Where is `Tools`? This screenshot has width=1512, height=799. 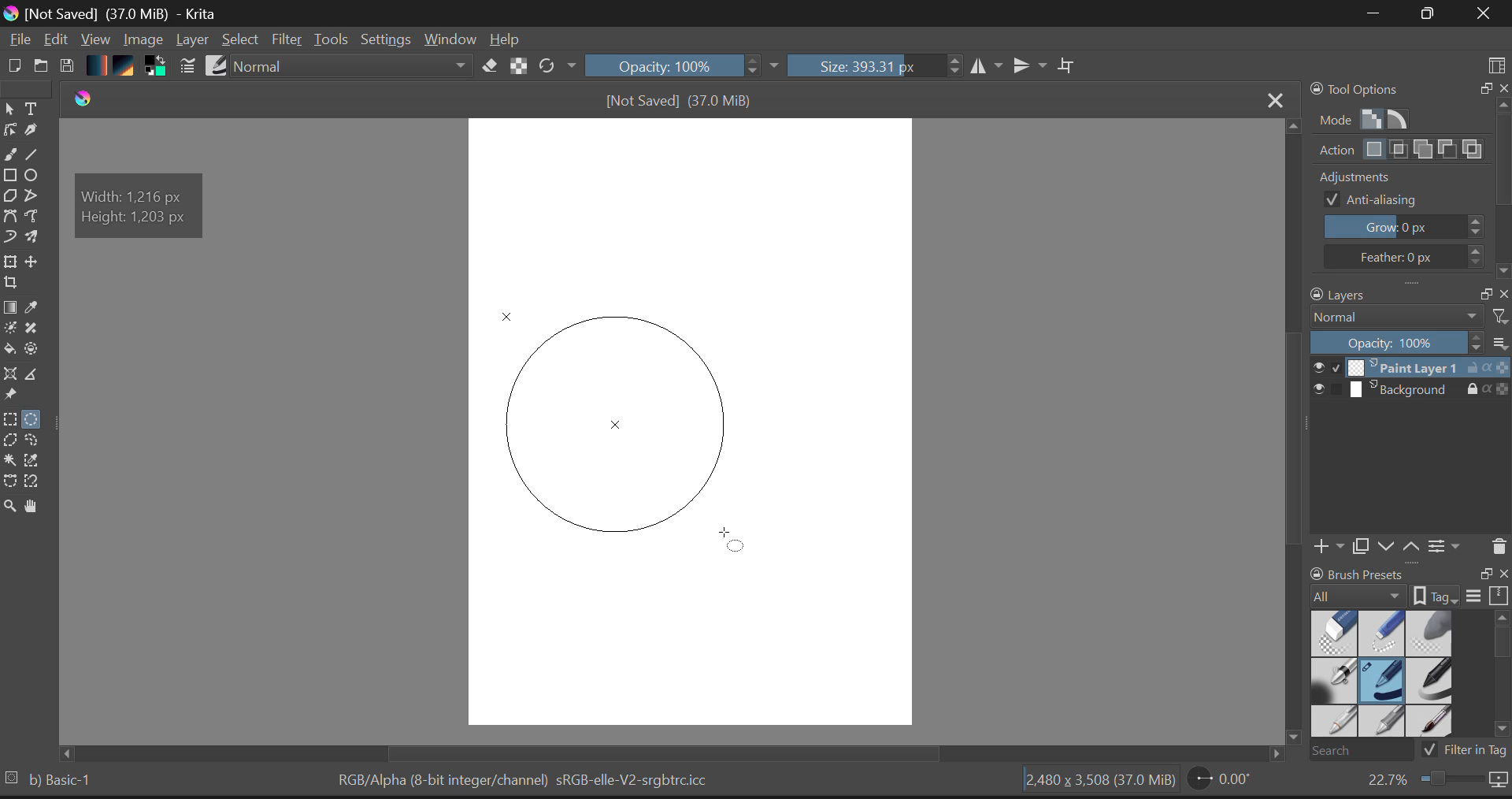
Tools is located at coordinates (332, 39).